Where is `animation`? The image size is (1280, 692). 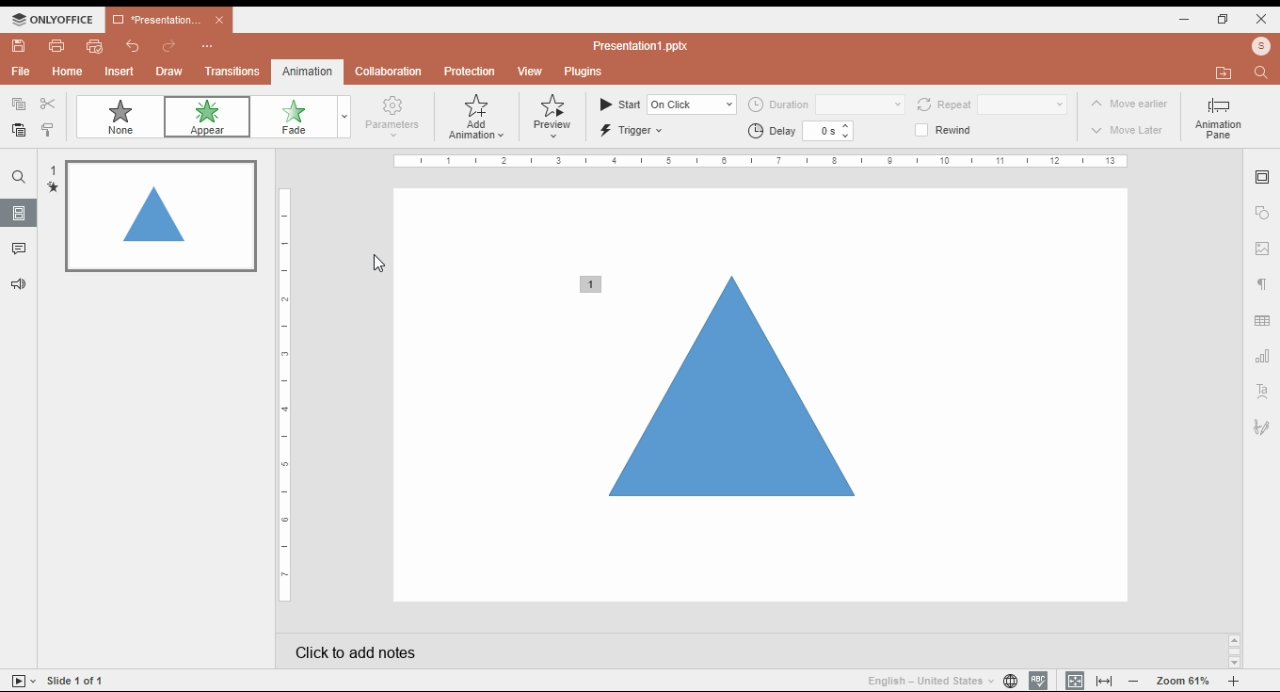 animation is located at coordinates (308, 71).